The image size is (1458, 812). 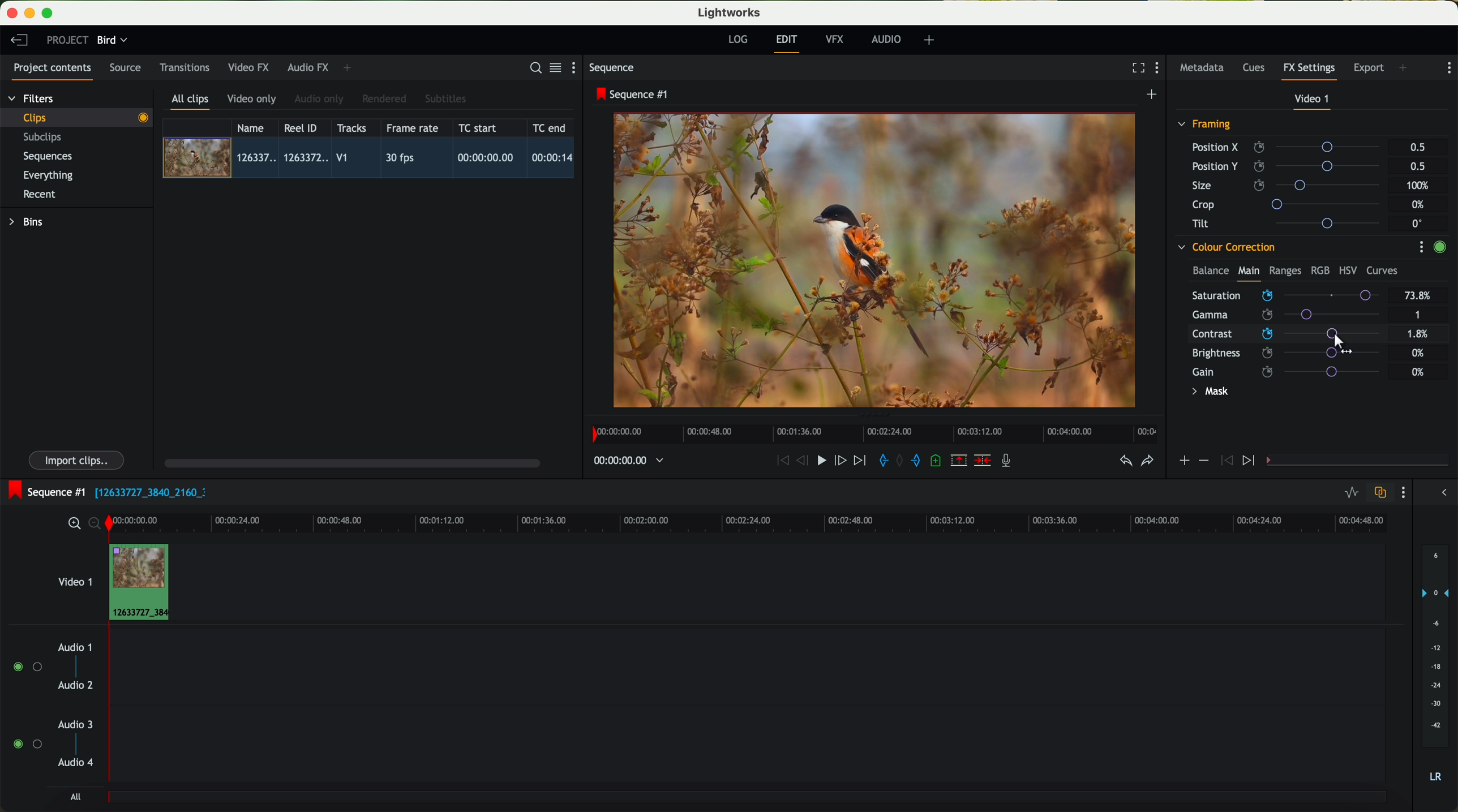 I want to click on position Y, so click(x=1290, y=166).